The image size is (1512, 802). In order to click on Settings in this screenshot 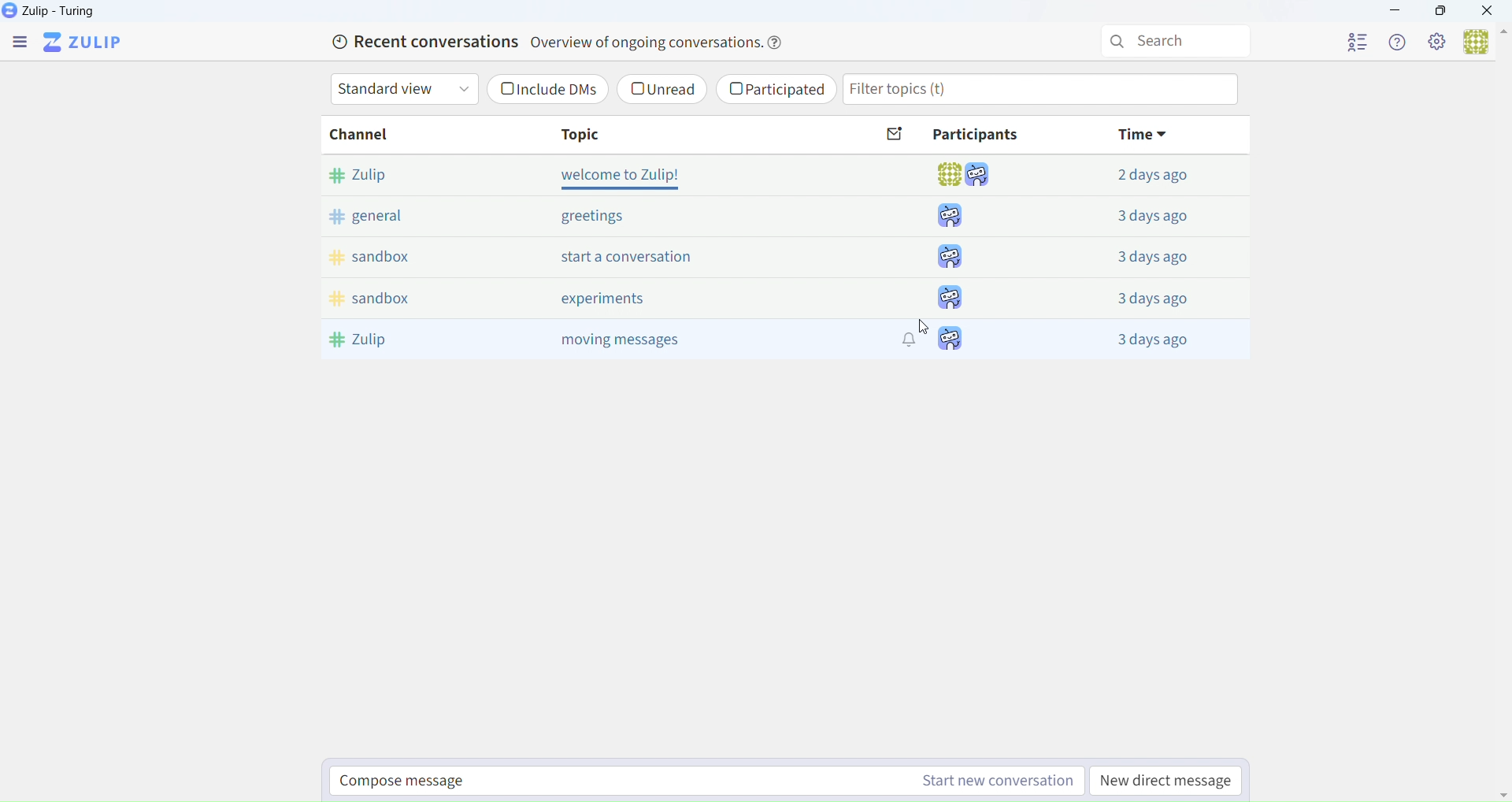, I will do `click(1439, 44)`.